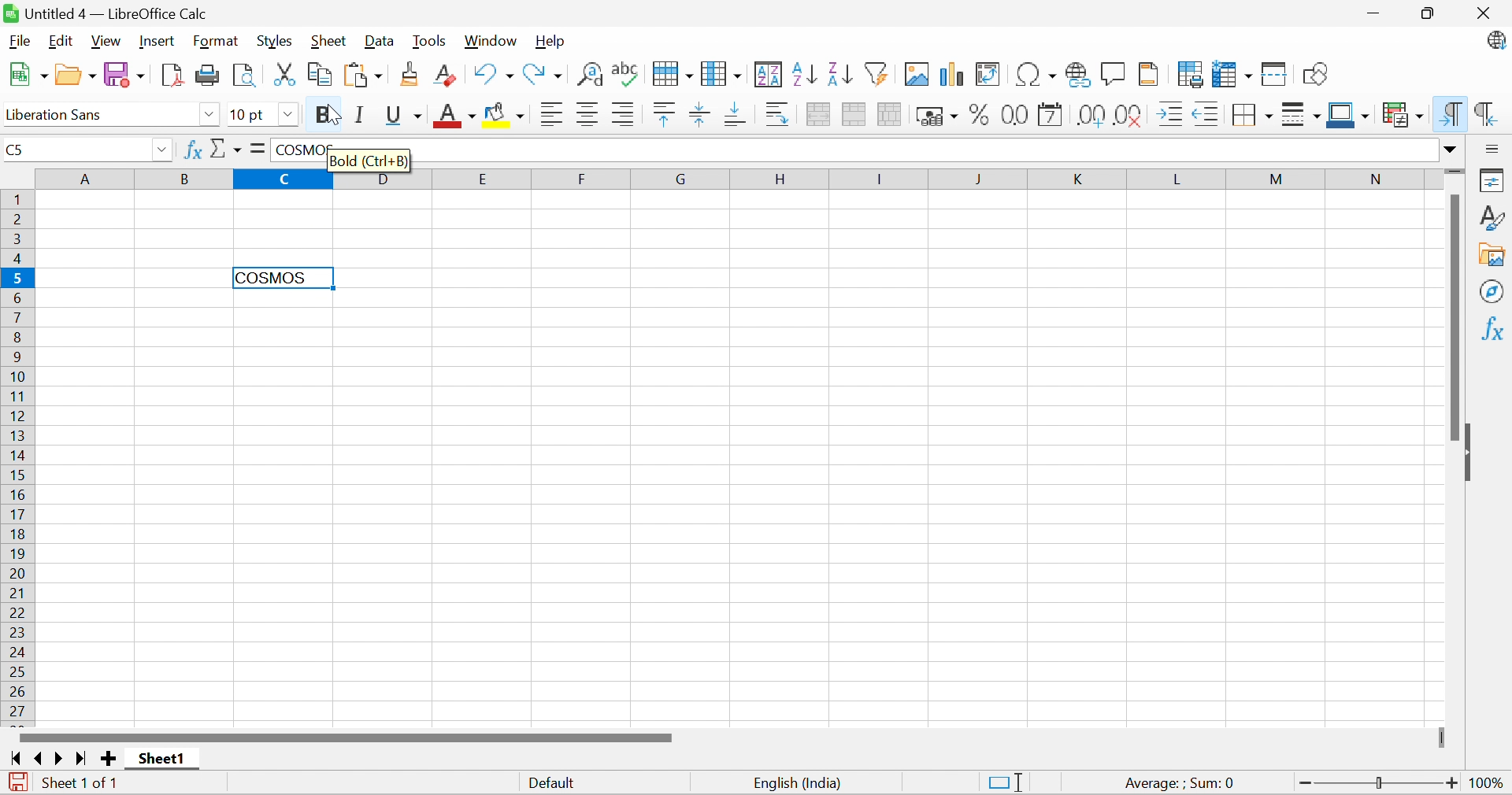 The image size is (1512, 795). I want to click on Scroll Bar, so click(343, 738).